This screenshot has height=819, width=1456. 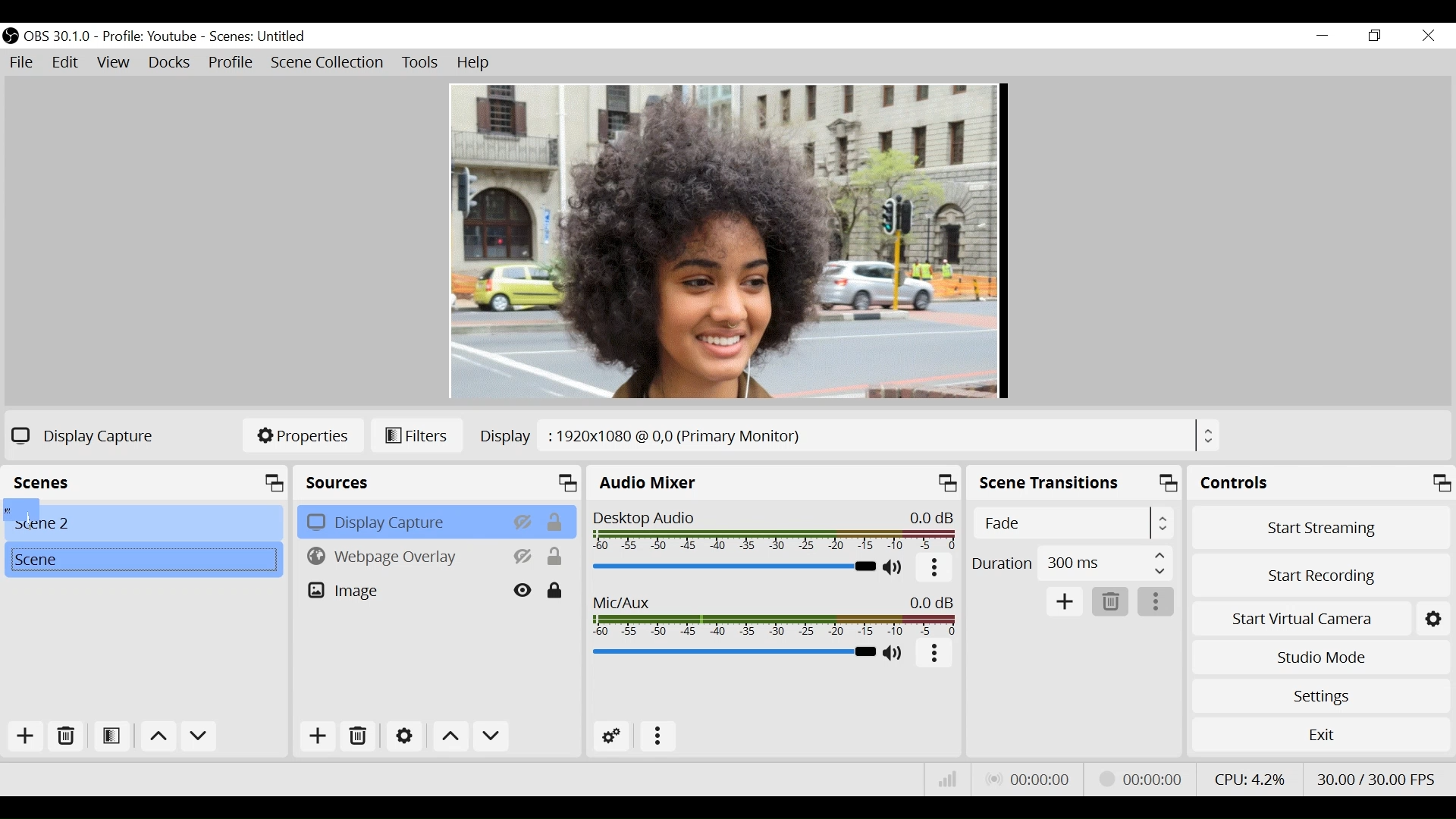 I want to click on CPU Usage, so click(x=1250, y=778).